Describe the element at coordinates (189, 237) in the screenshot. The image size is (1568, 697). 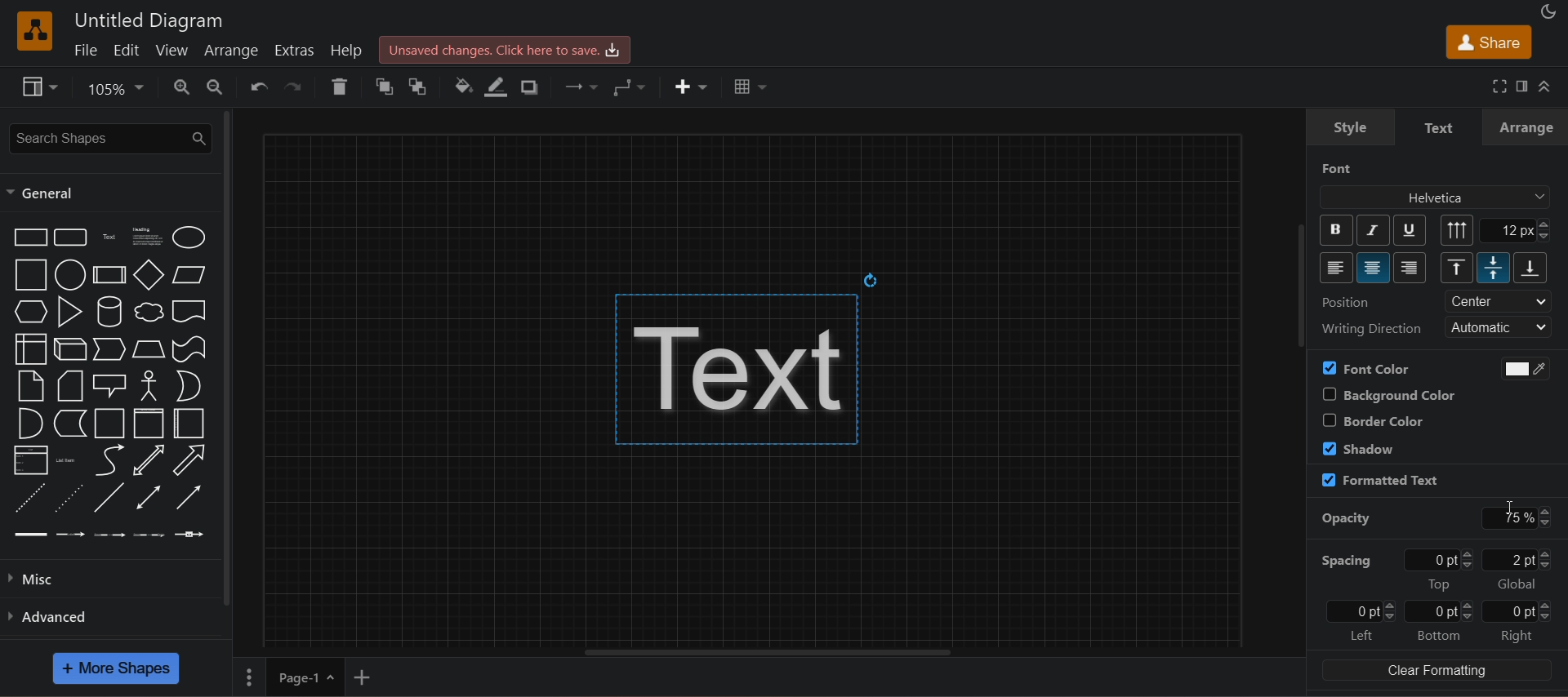
I see `ellipse` at that location.